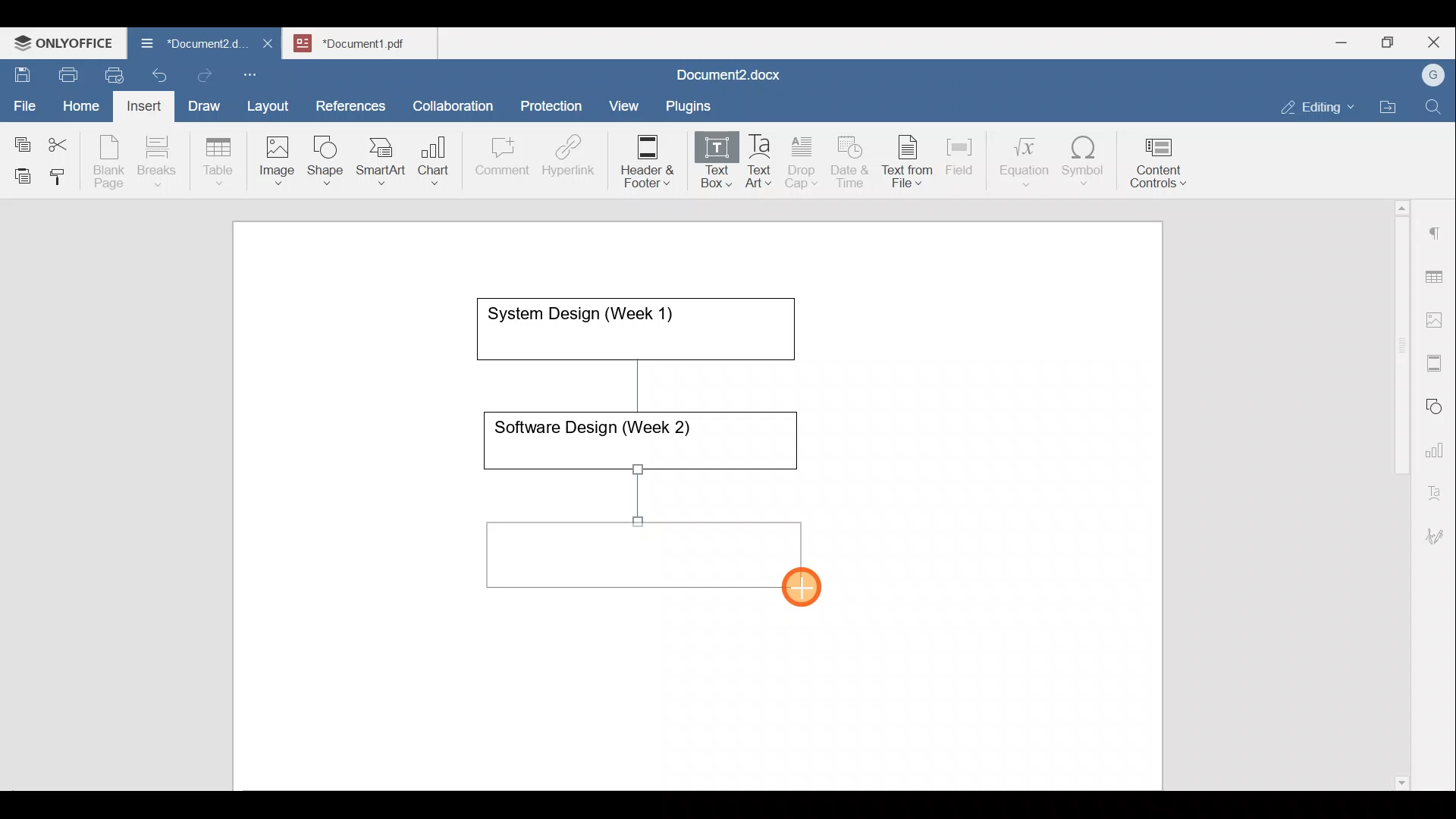 This screenshot has height=819, width=1456. What do you see at coordinates (1318, 104) in the screenshot?
I see `Editing mode` at bounding box center [1318, 104].